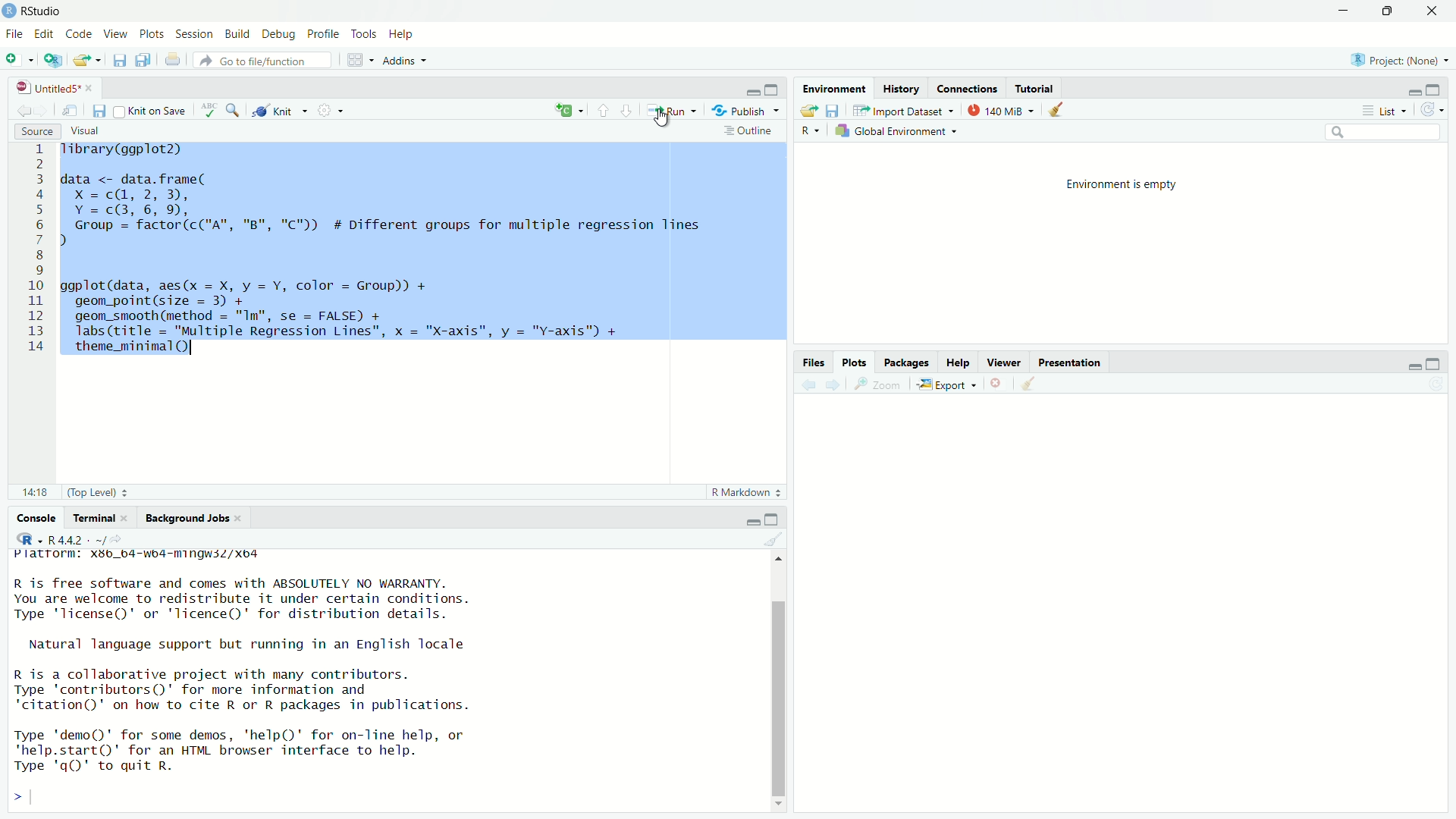 The image size is (1456, 819). Describe the element at coordinates (773, 88) in the screenshot. I see `maximise` at that location.